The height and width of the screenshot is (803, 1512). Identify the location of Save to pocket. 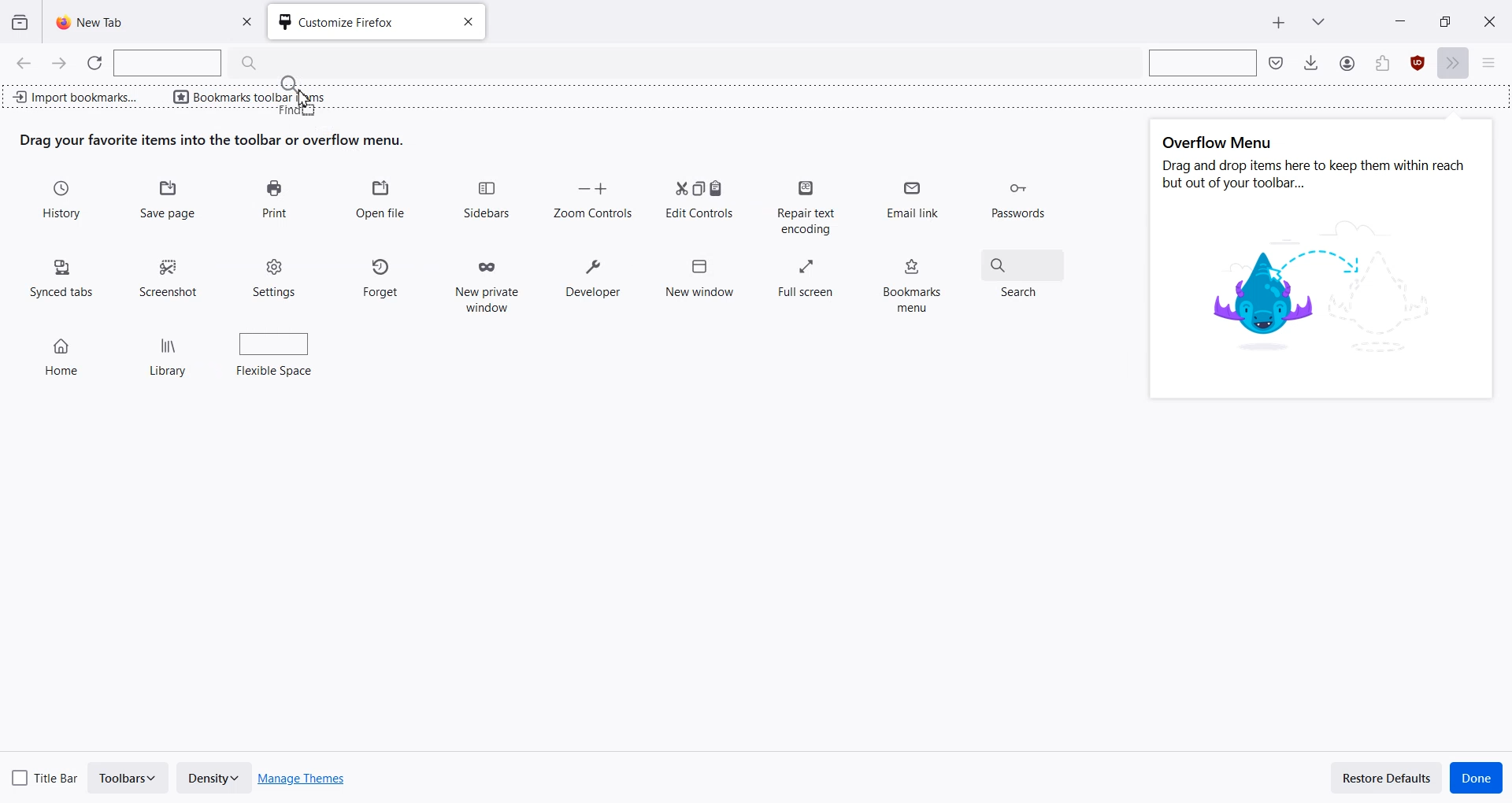
(1277, 62).